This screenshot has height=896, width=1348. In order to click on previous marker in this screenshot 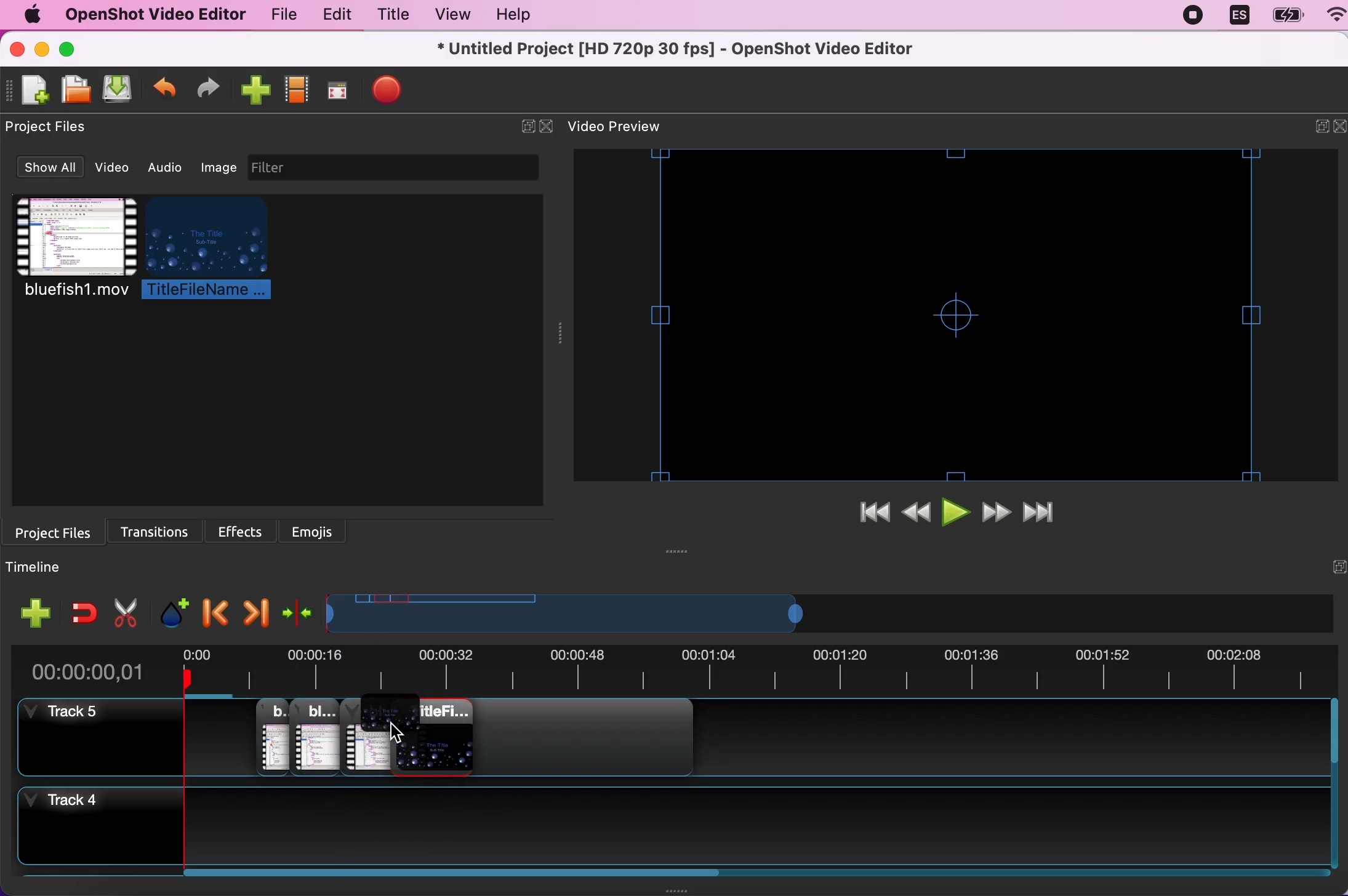, I will do `click(214, 609)`.